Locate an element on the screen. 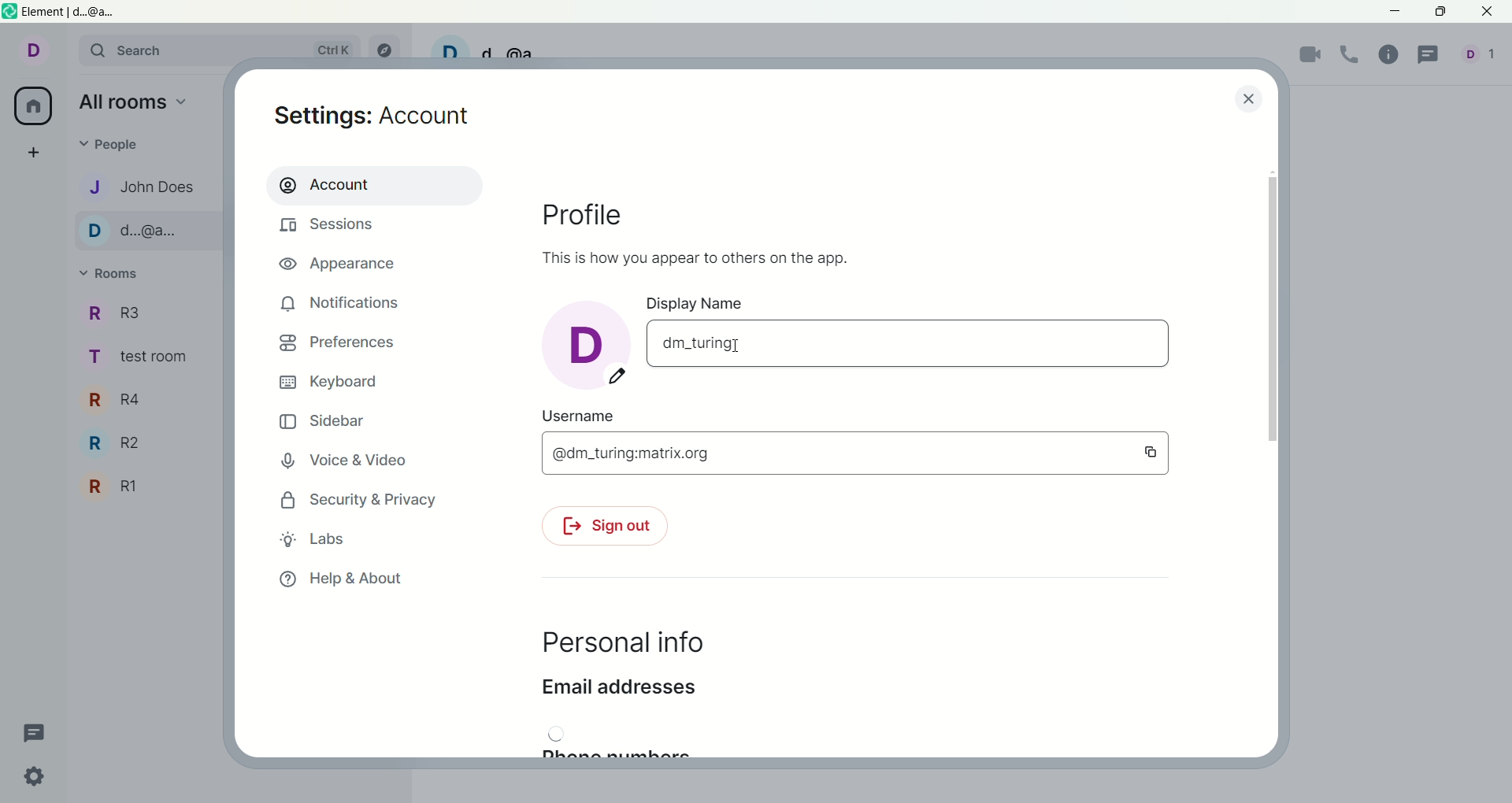 The image size is (1512, 803). cursor is located at coordinates (740, 345).